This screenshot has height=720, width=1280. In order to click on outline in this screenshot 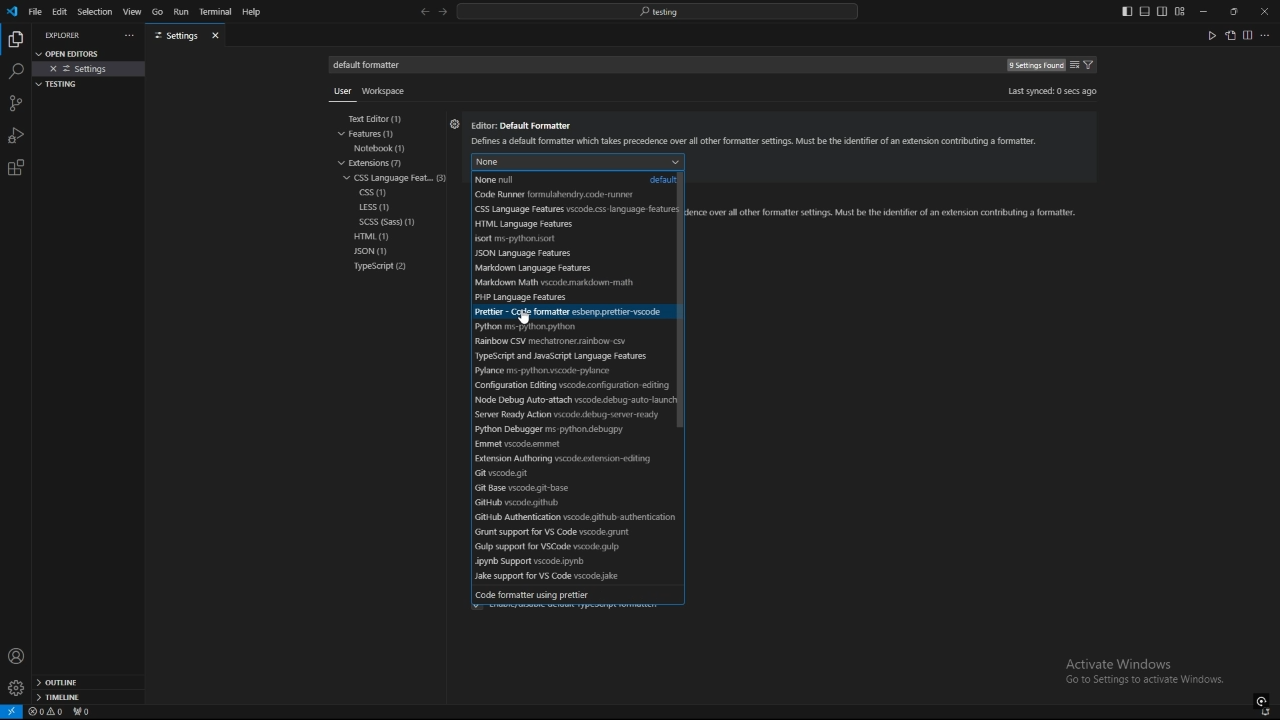, I will do `click(88, 683)`.